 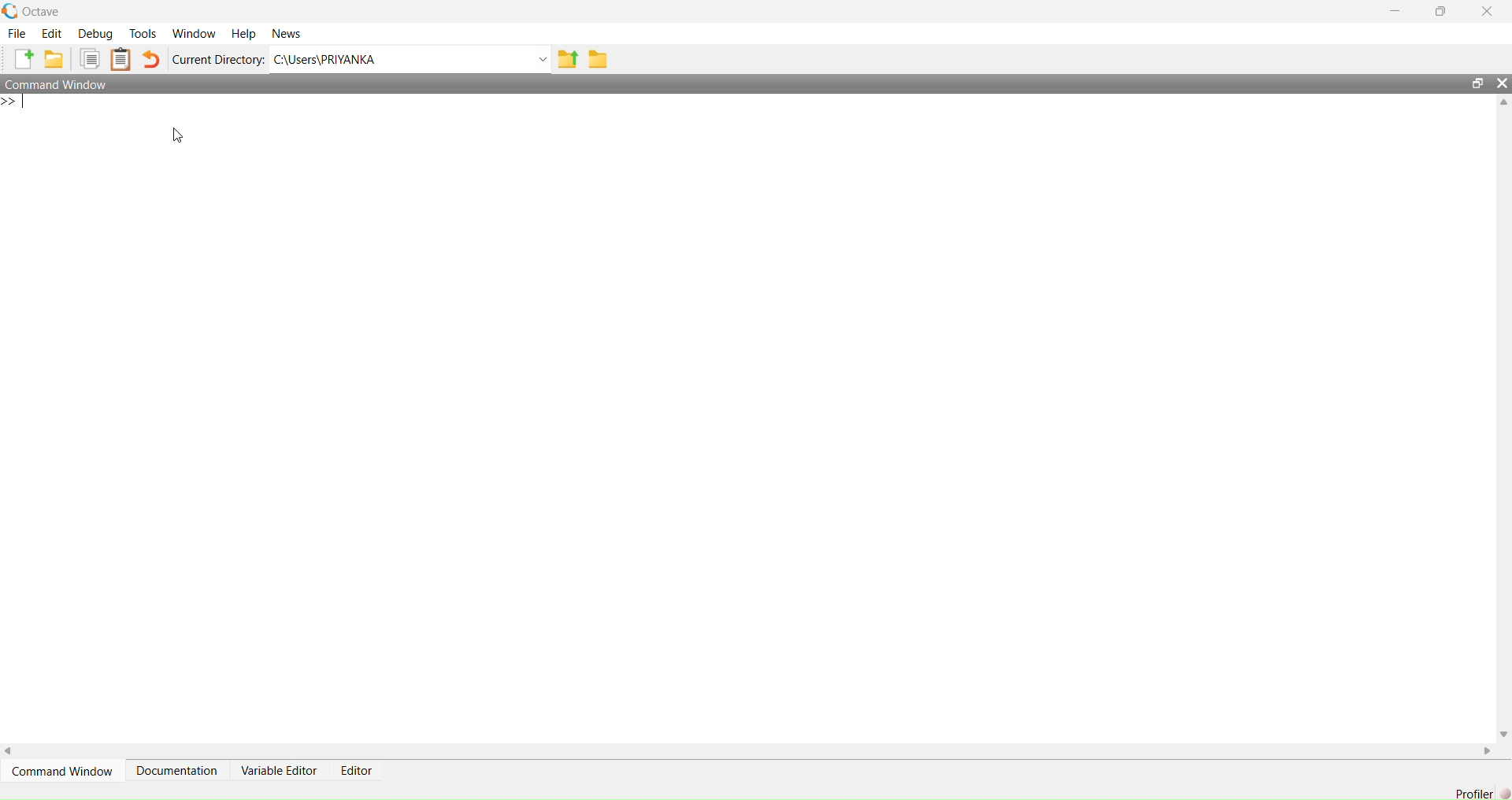 I want to click on maximise, so click(x=1443, y=13).